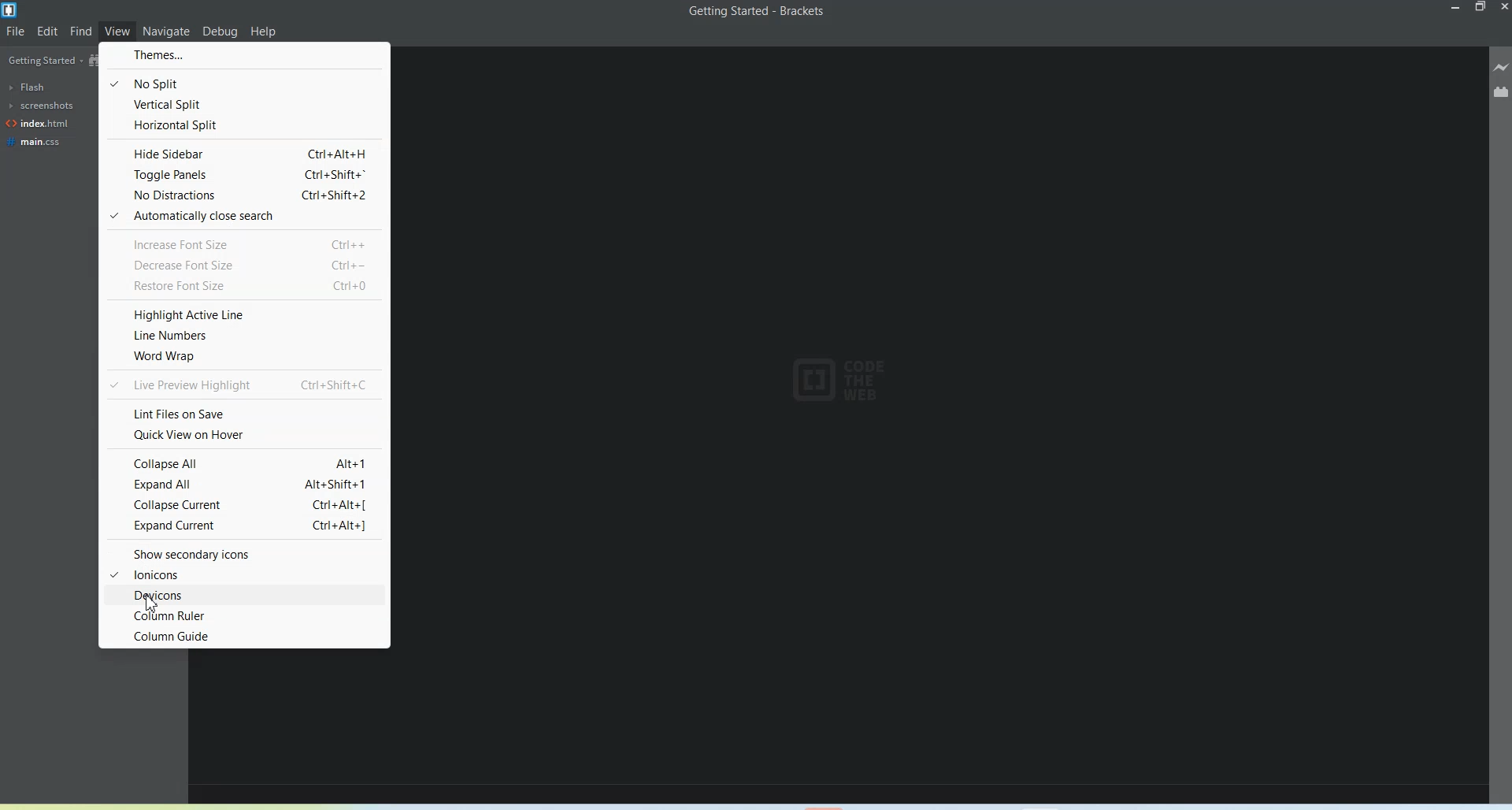 The height and width of the screenshot is (810, 1512). I want to click on Expand All, so click(243, 484).